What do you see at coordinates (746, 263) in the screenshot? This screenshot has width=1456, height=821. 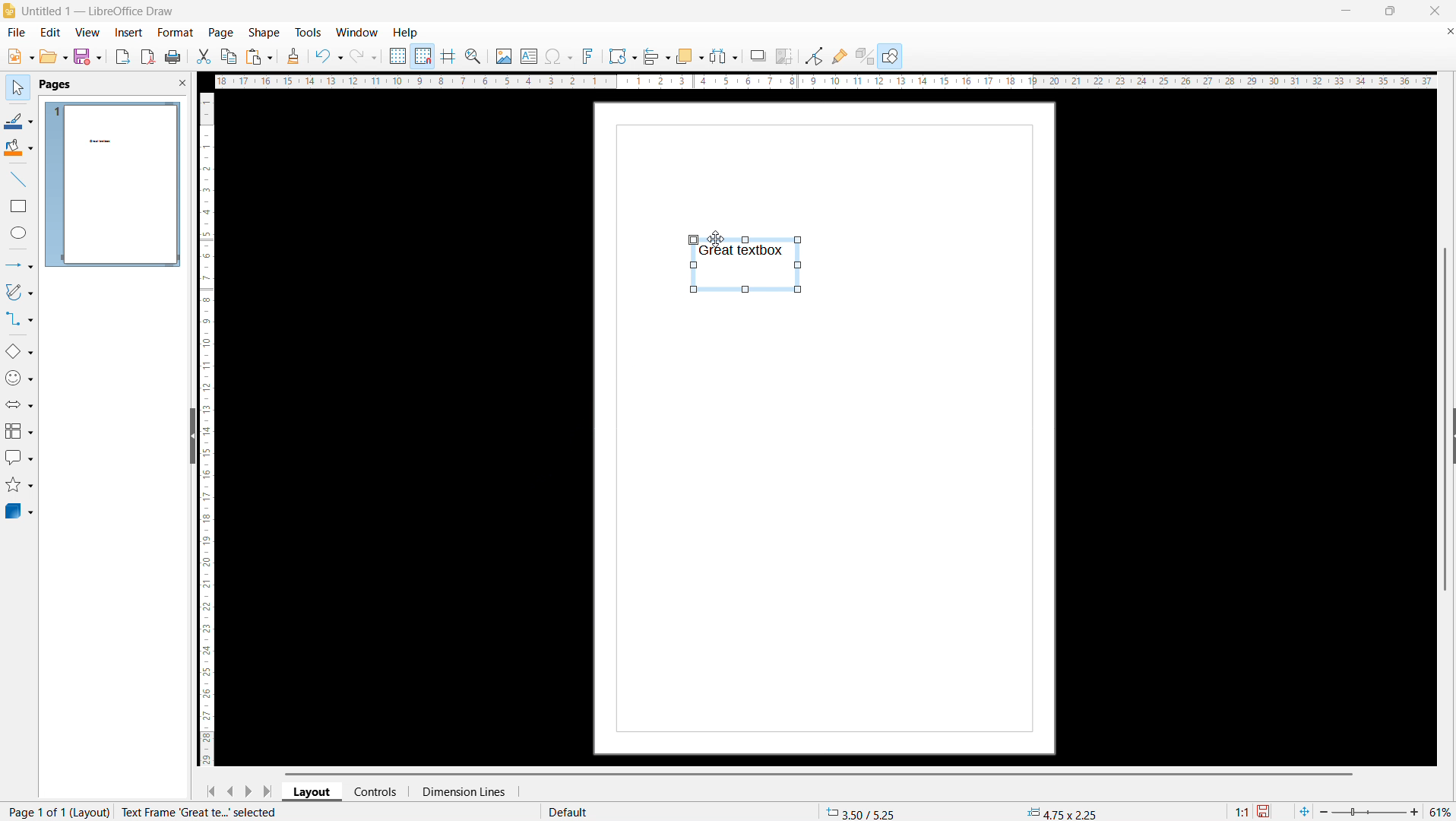 I see `textbox` at bounding box center [746, 263].